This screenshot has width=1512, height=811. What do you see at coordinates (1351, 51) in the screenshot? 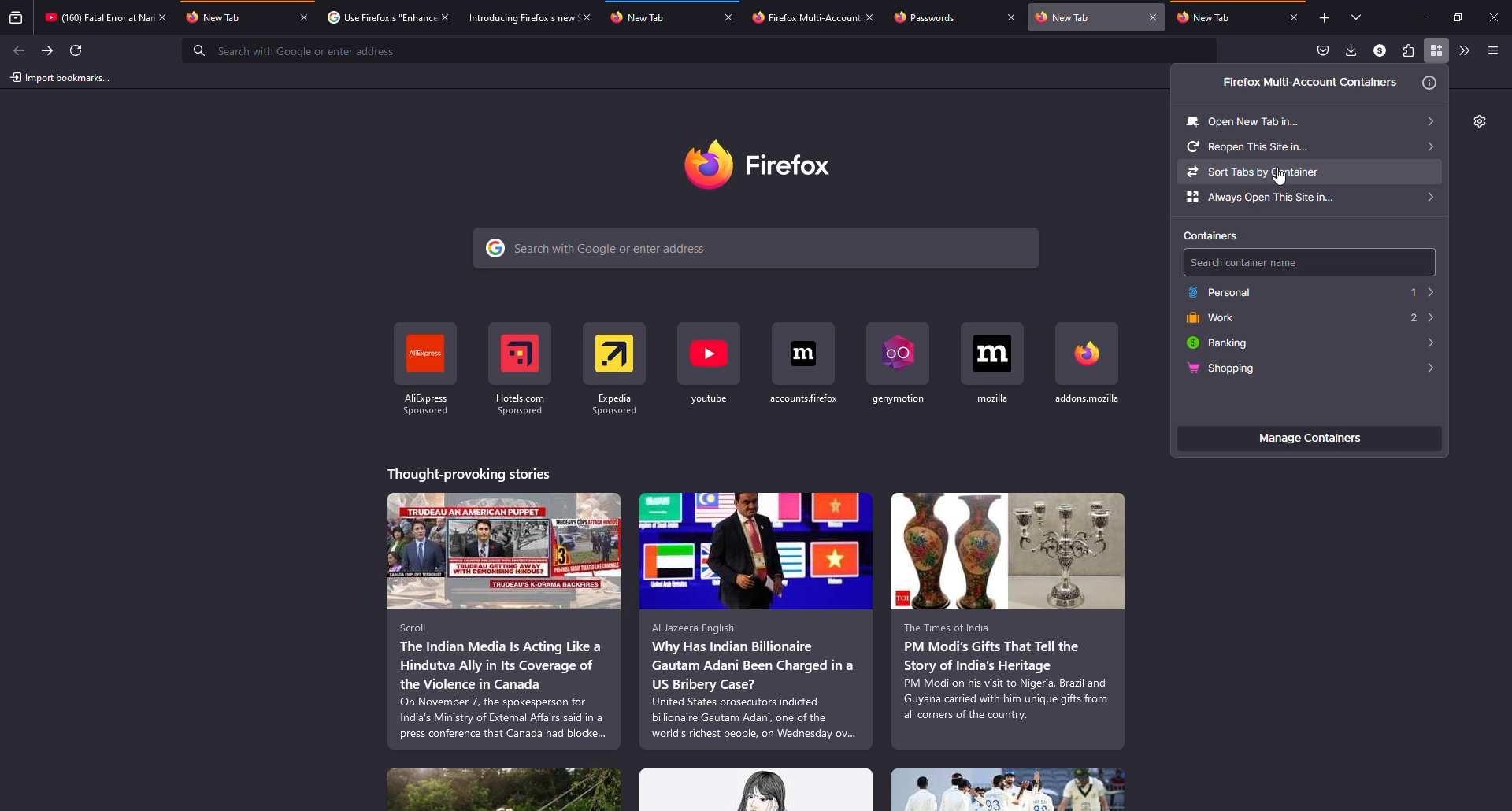
I see `downloads` at bounding box center [1351, 51].